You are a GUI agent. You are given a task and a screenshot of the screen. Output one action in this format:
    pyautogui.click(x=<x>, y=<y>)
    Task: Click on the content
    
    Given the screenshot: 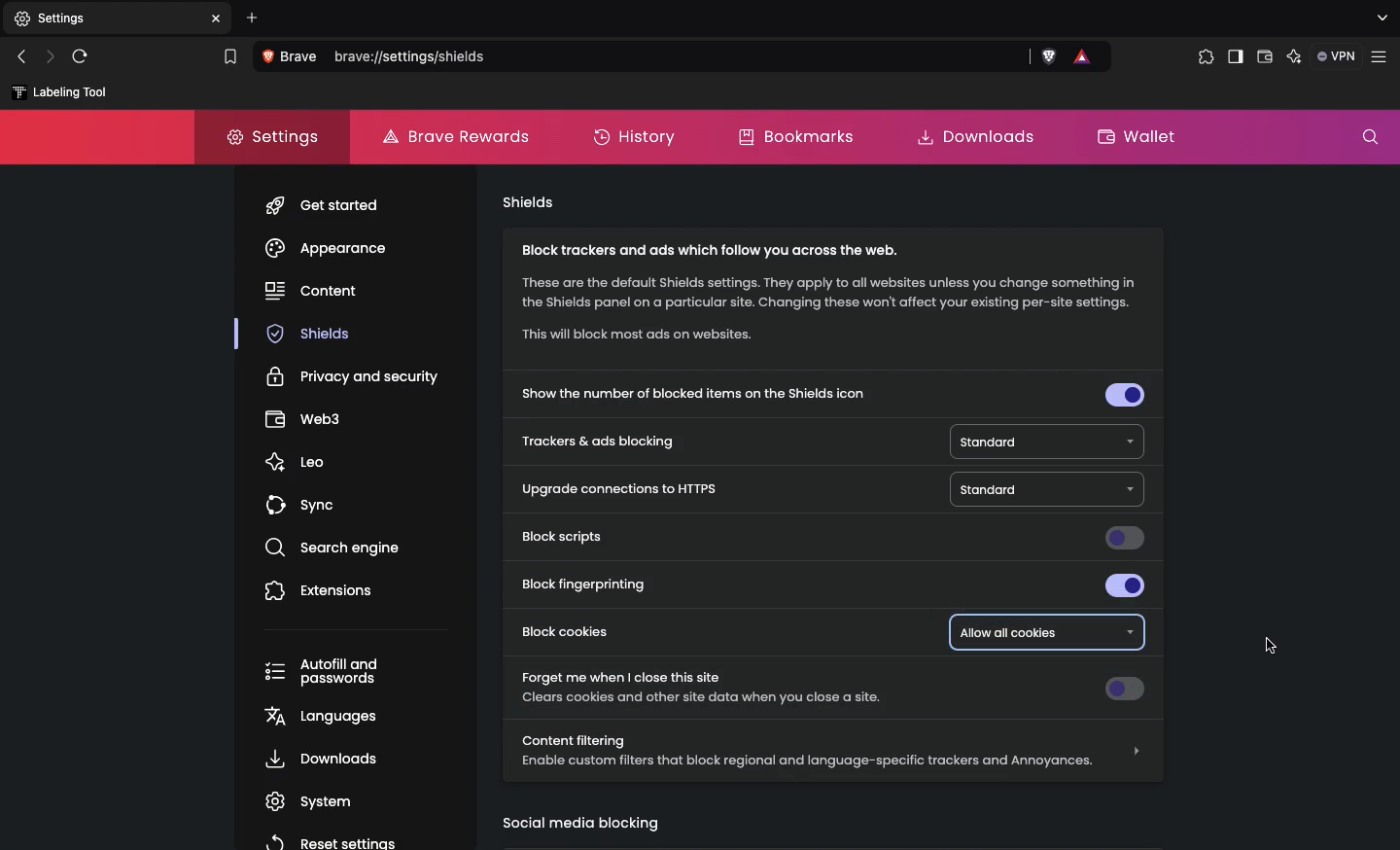 What is the action you would take?
    pyautogui.click(x=312, y=294)
    